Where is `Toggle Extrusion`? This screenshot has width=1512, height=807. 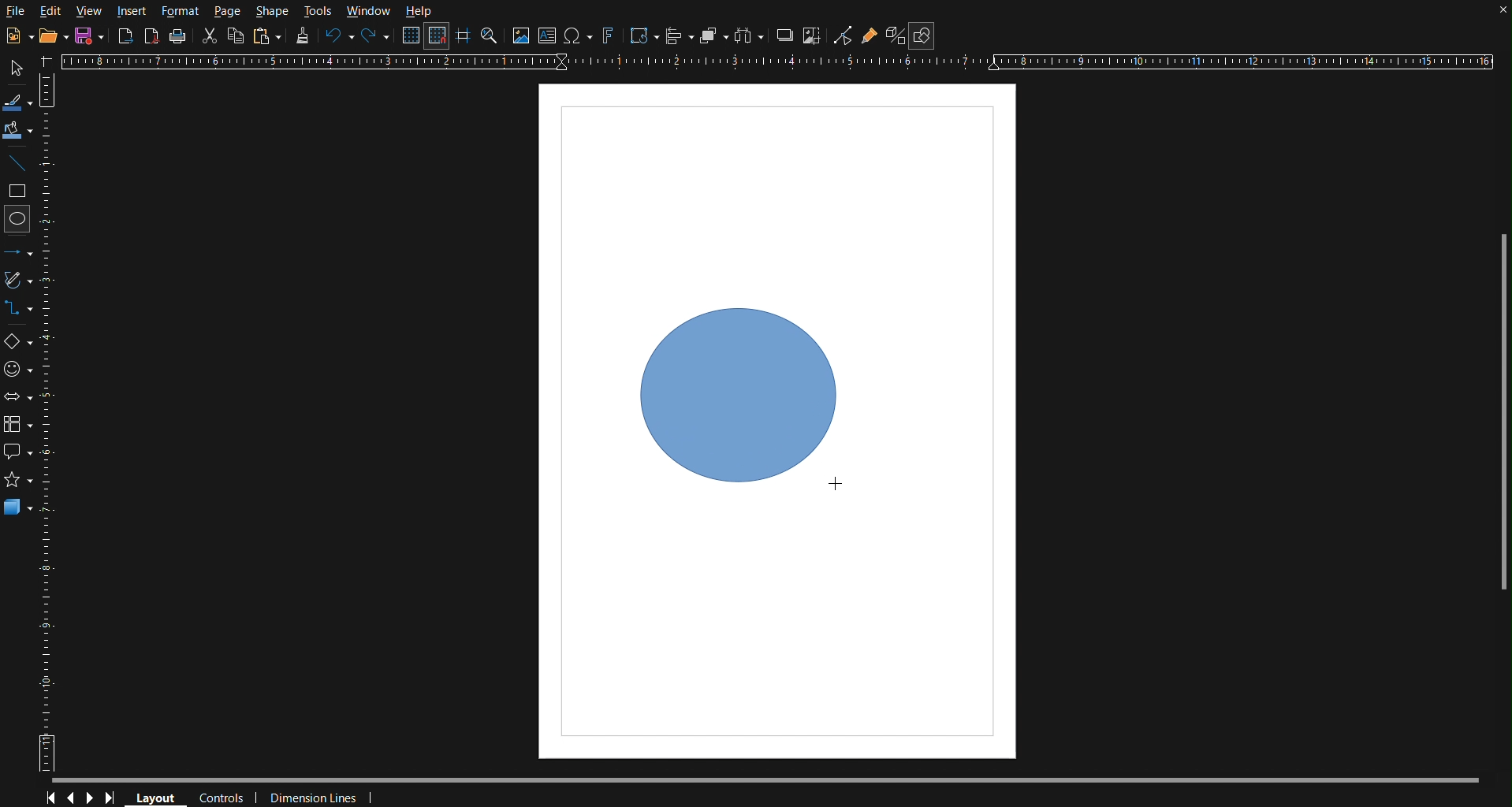
Toggle Extrusion is located at coordinates (895, 36).